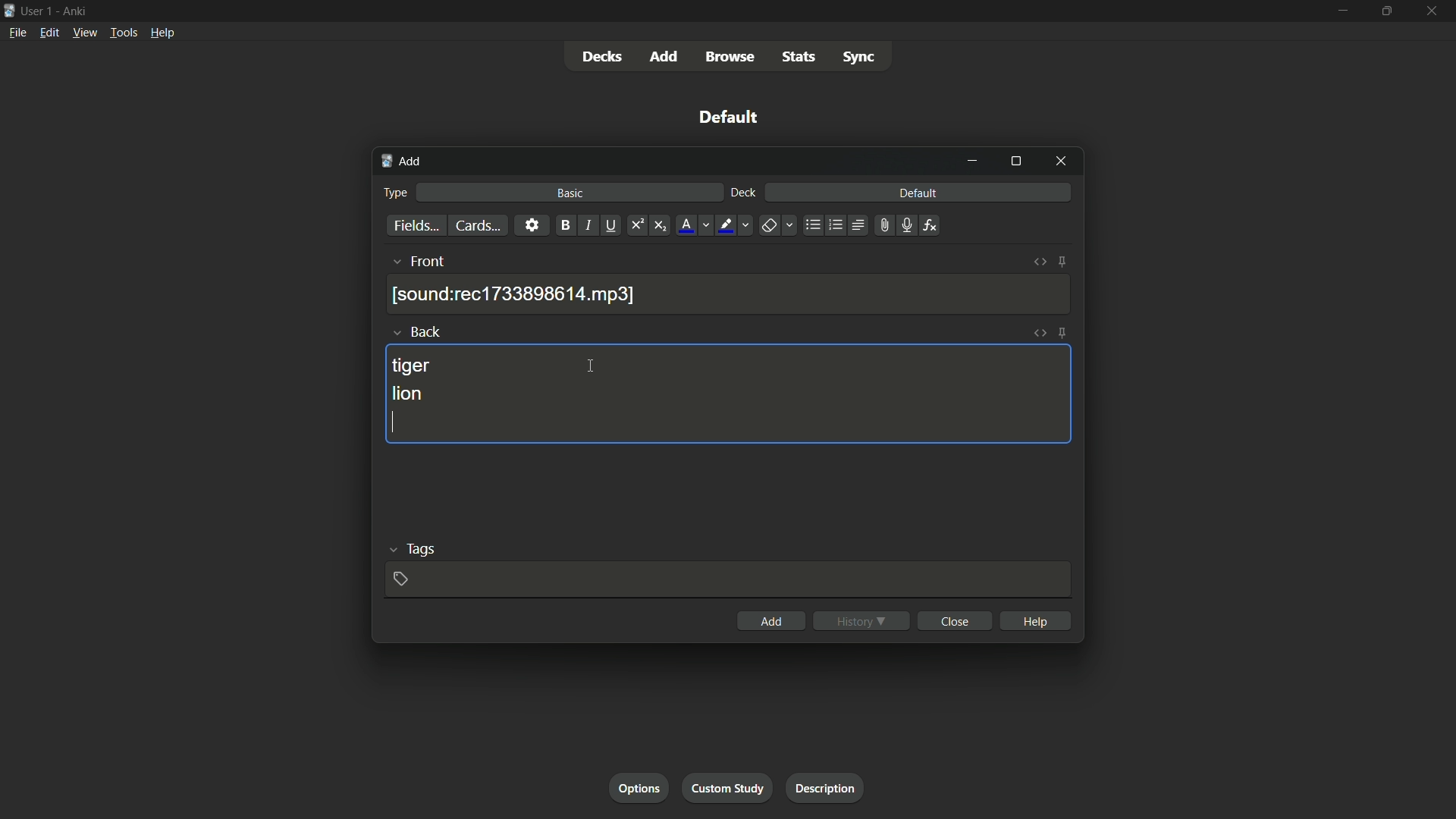  I want to click on bold, so click(563, 225).